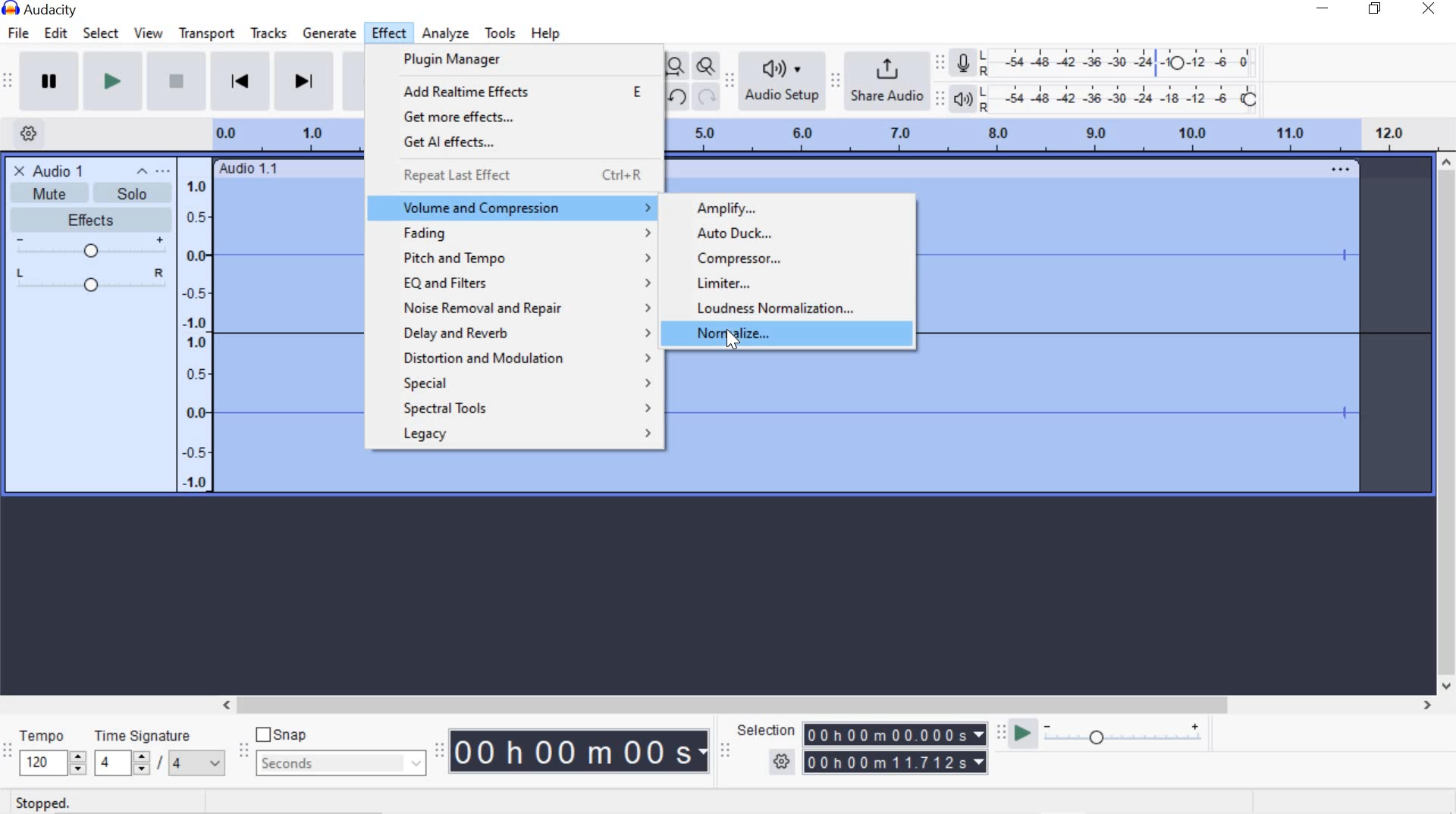  Describe the element at coordinates (528, 336) in the screenshot. I see `delay and reverb` at that location.